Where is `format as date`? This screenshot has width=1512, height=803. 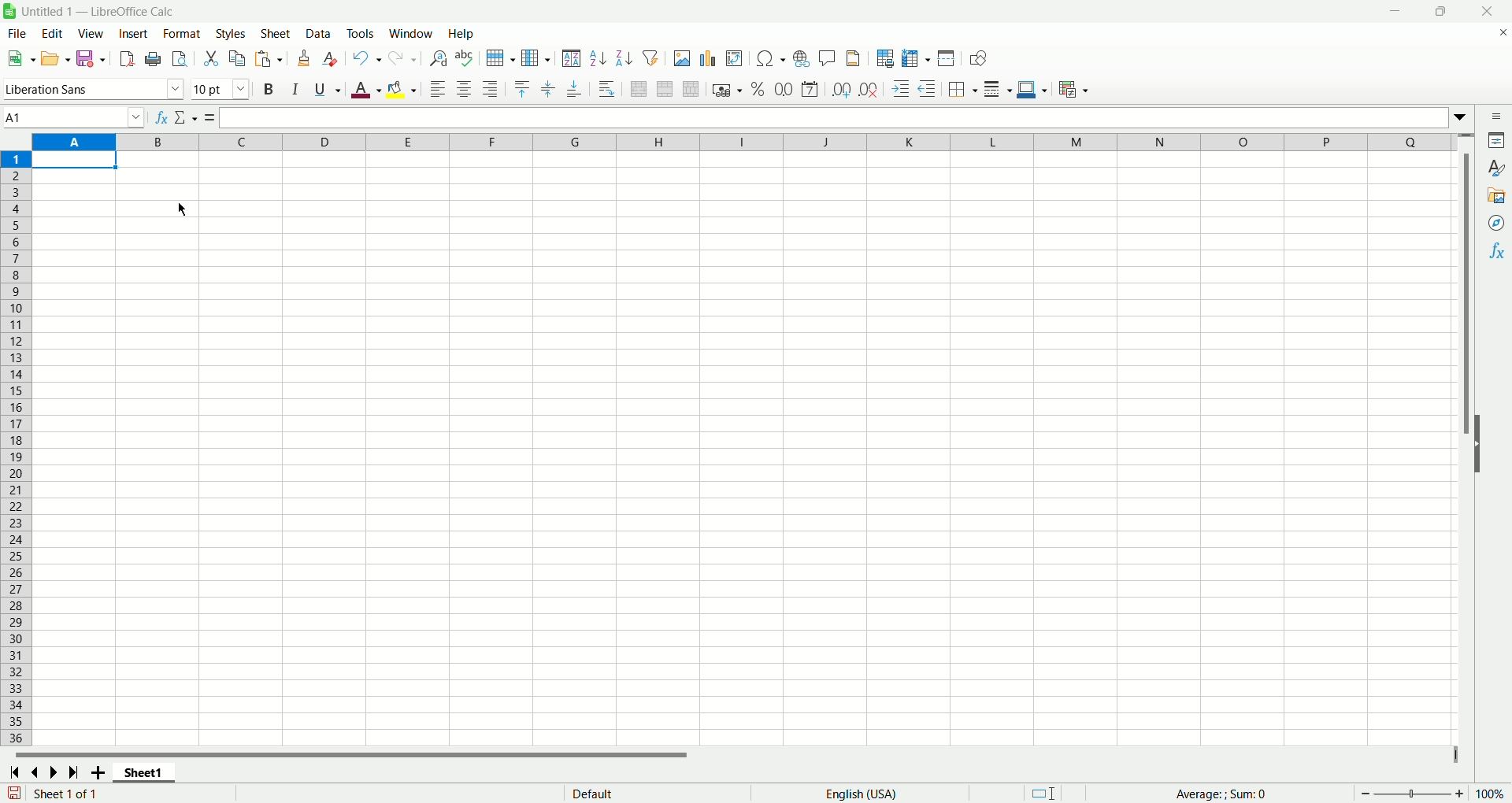
format as date is located at coordinates (813, 89).